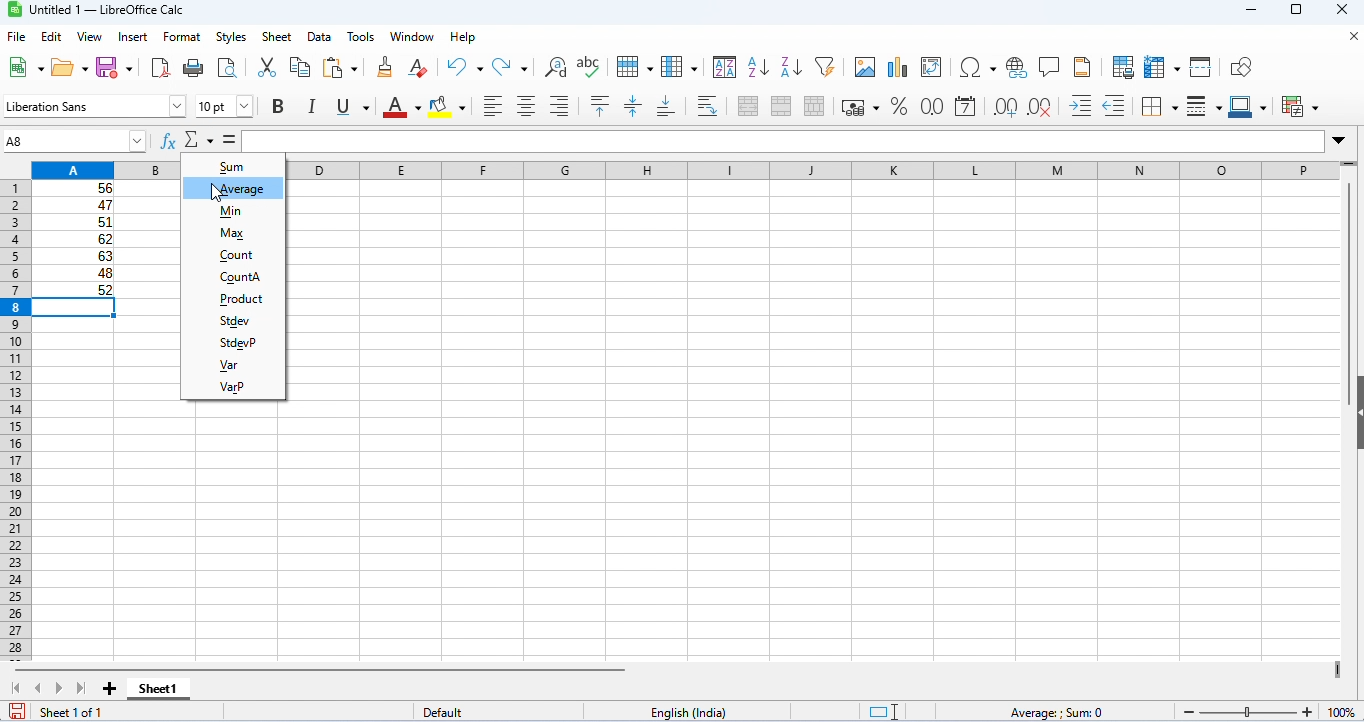 This screenshot has width=1364, height=722. Describe the element at coordinates (39, 687) in the screenshot. I see `previous sheet` at that location.